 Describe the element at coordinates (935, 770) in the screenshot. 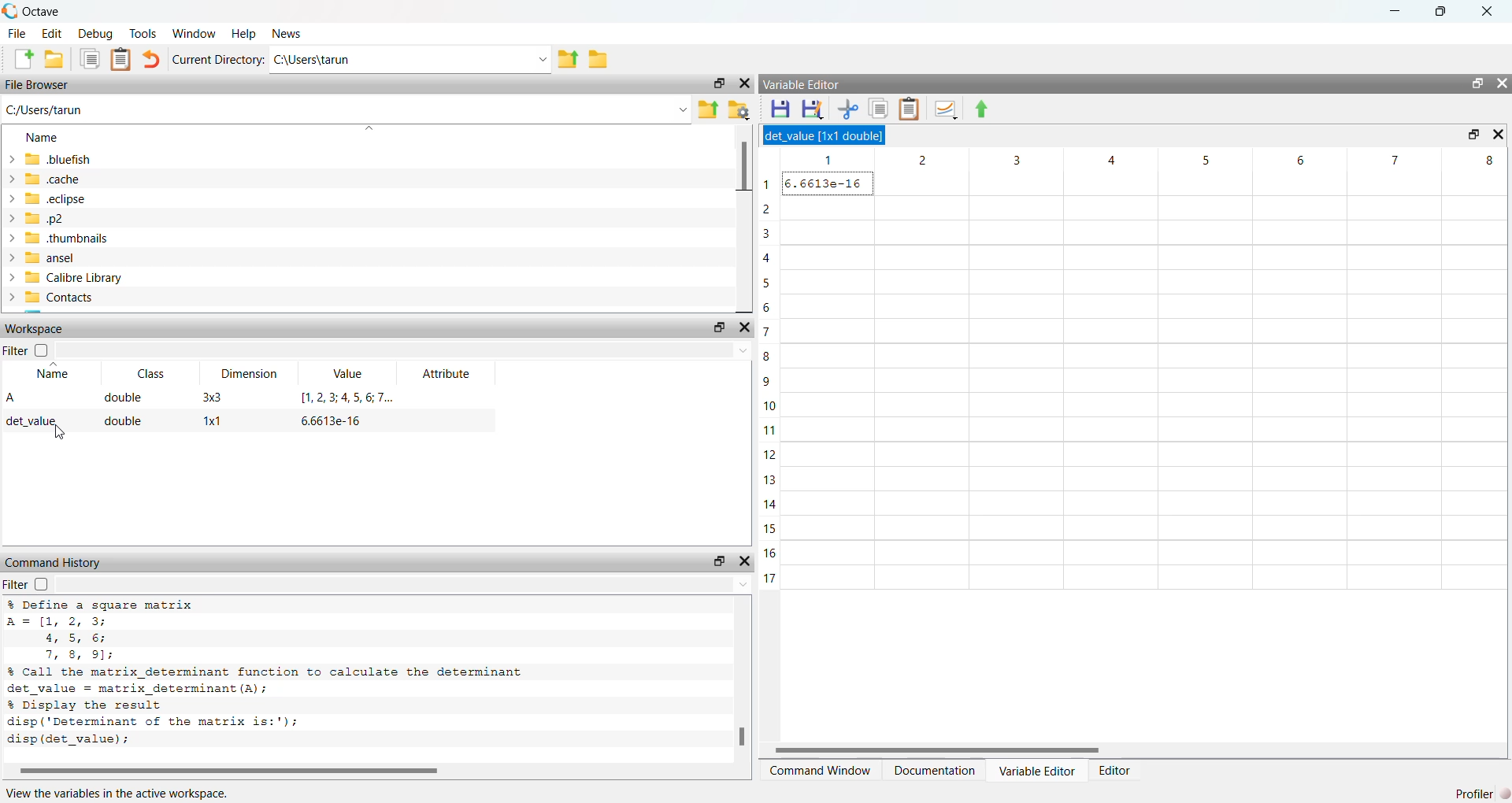

I see `Documentation` at that location.